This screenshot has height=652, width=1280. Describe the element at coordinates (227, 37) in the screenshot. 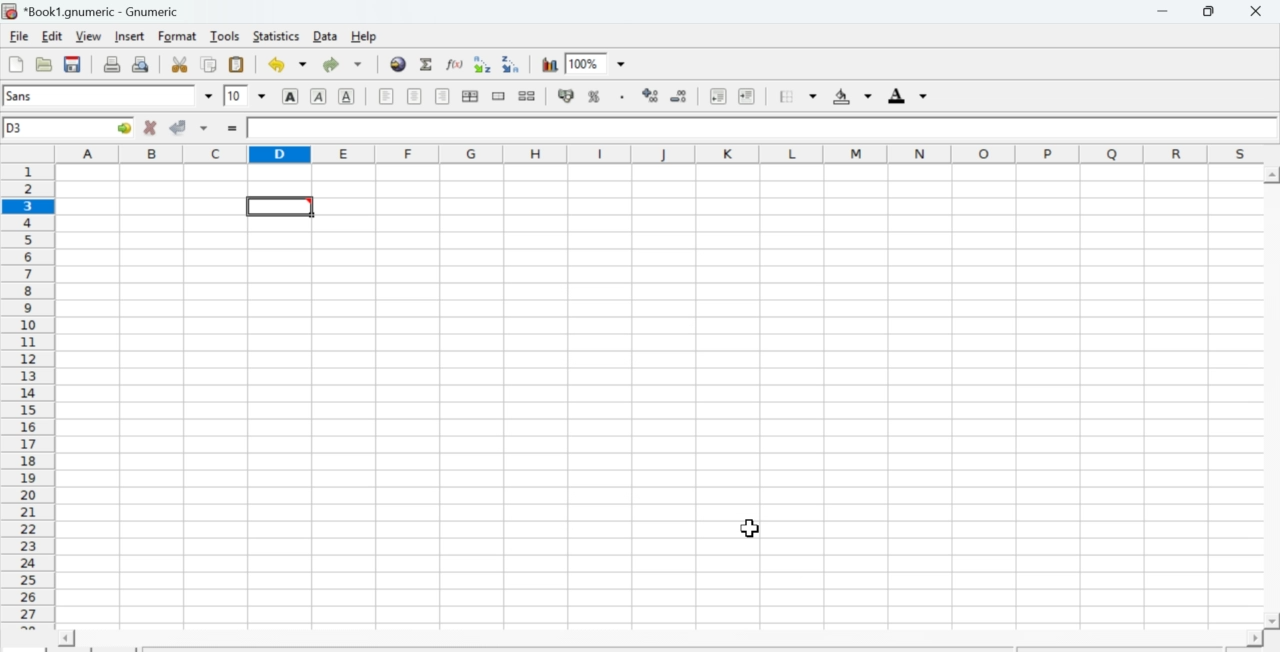

I see `Tools` at that location.